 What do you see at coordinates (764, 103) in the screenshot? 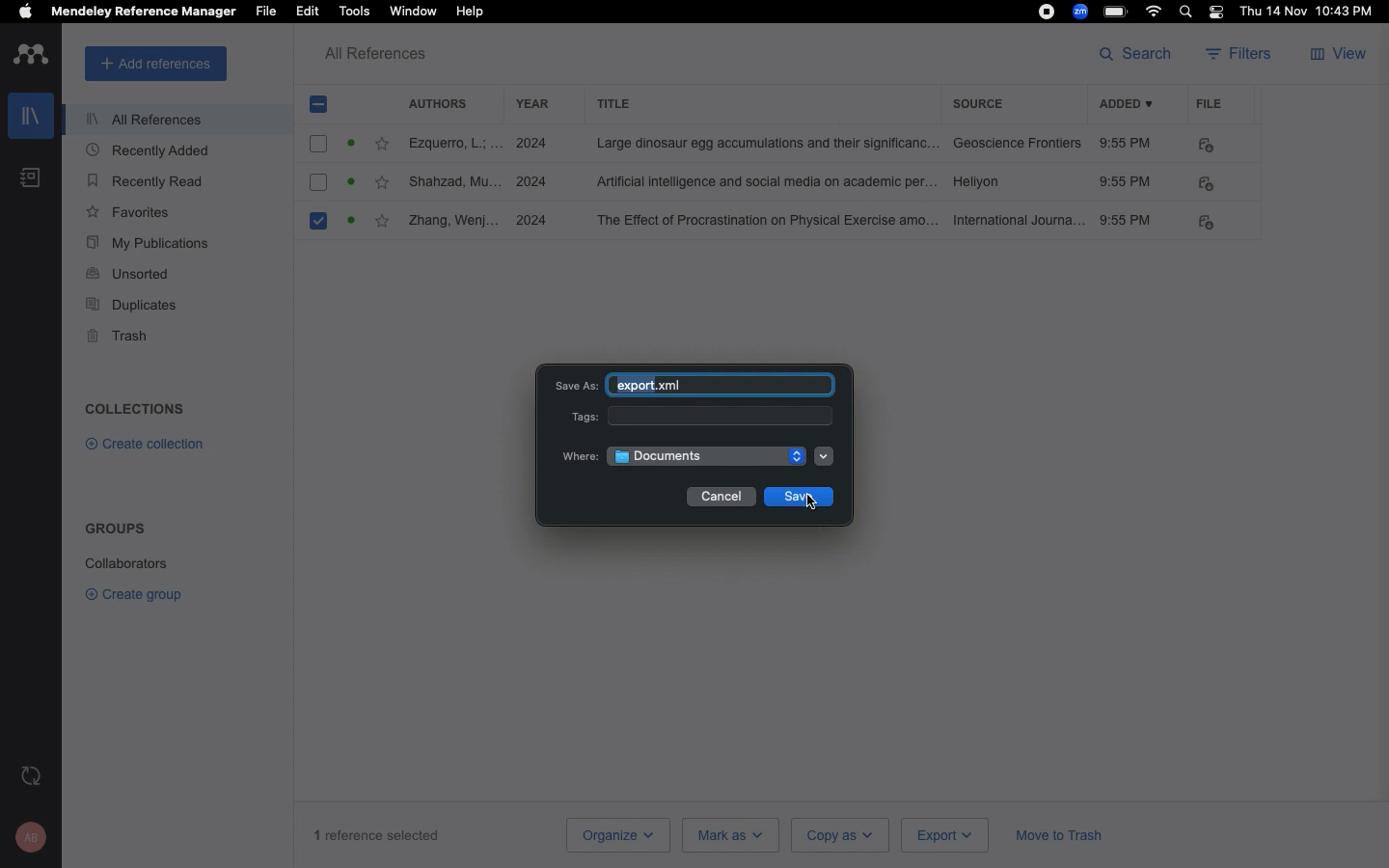
I see `Title` at bounding box center [764, 103].